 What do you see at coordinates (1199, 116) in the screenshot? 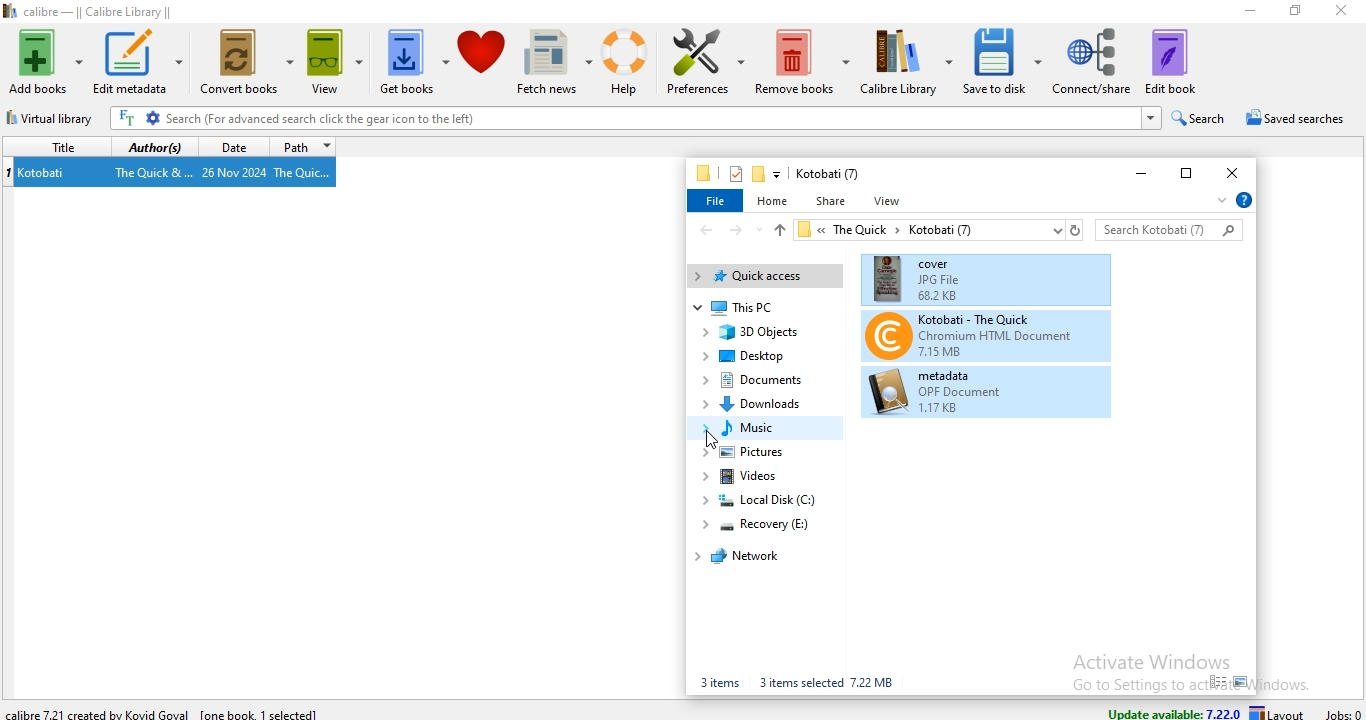
I see `search` at bounding box center [1199, 116].